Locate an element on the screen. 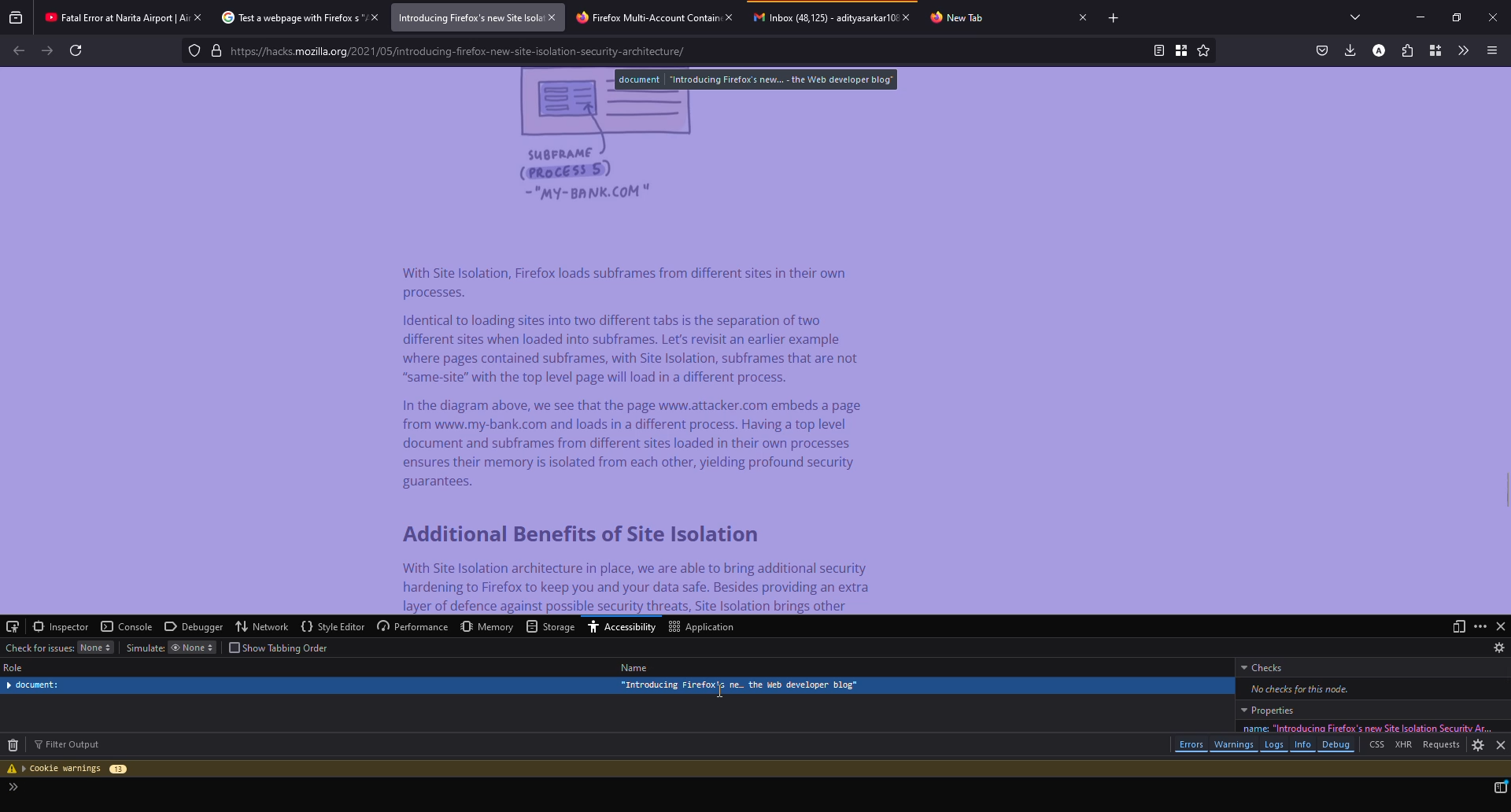  close is located at coordinates (1499, 745).